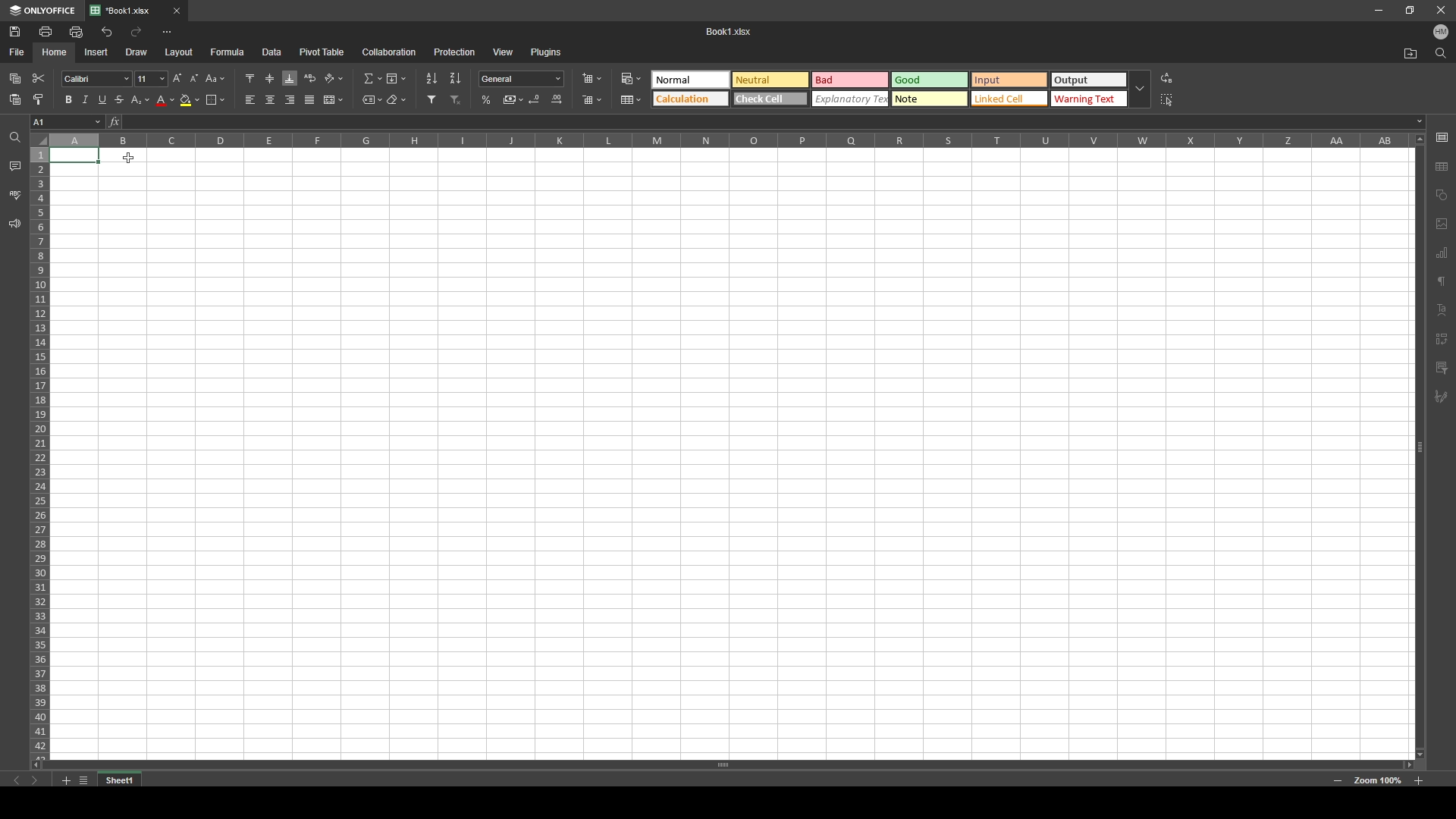  What do you see at coordinates (591, 80) in the screenshot?
I see `insert cells` at bounding box center [591, 80].